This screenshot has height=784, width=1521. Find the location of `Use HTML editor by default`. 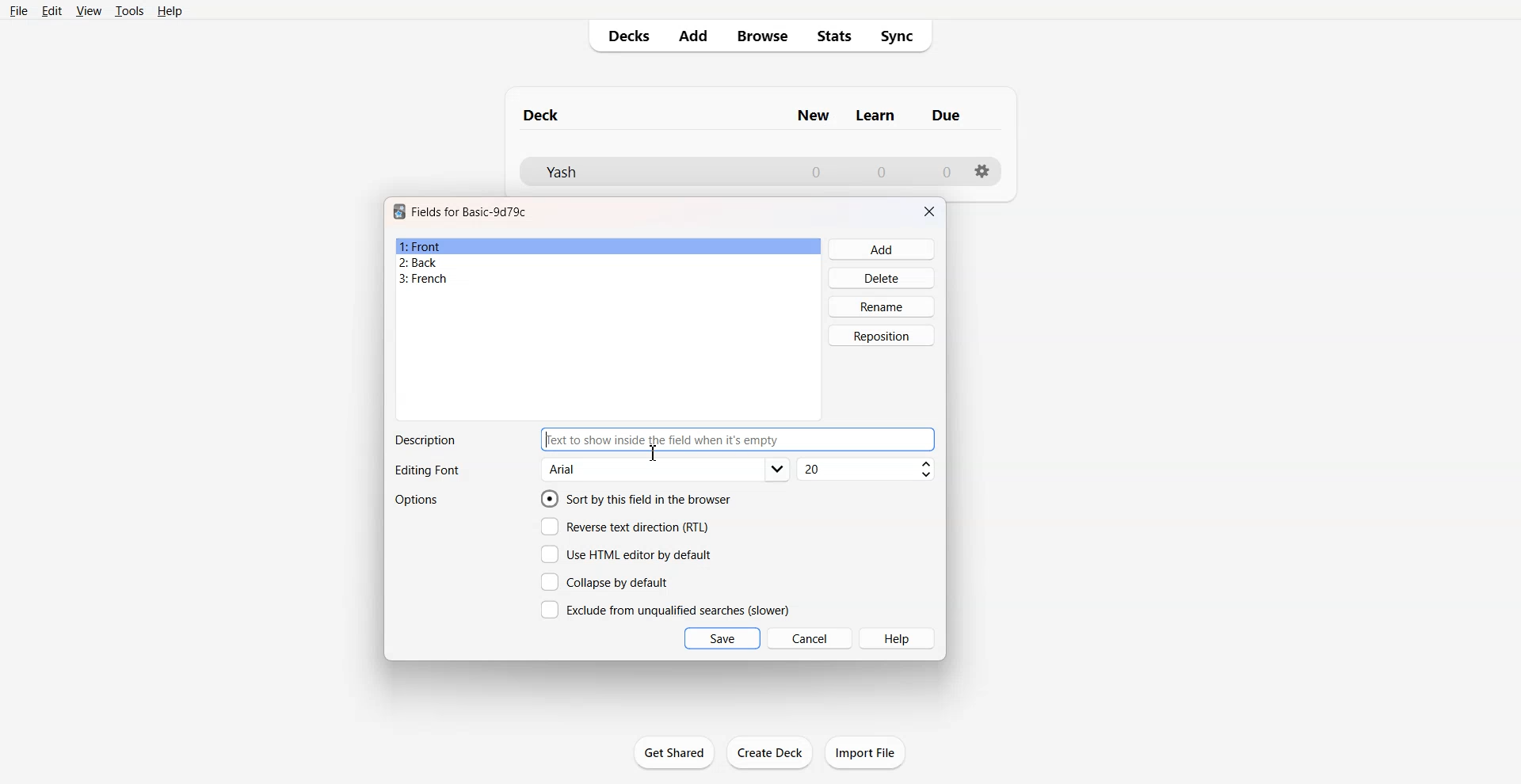

Use HTML editor by default is located at coordinates (626, 554).